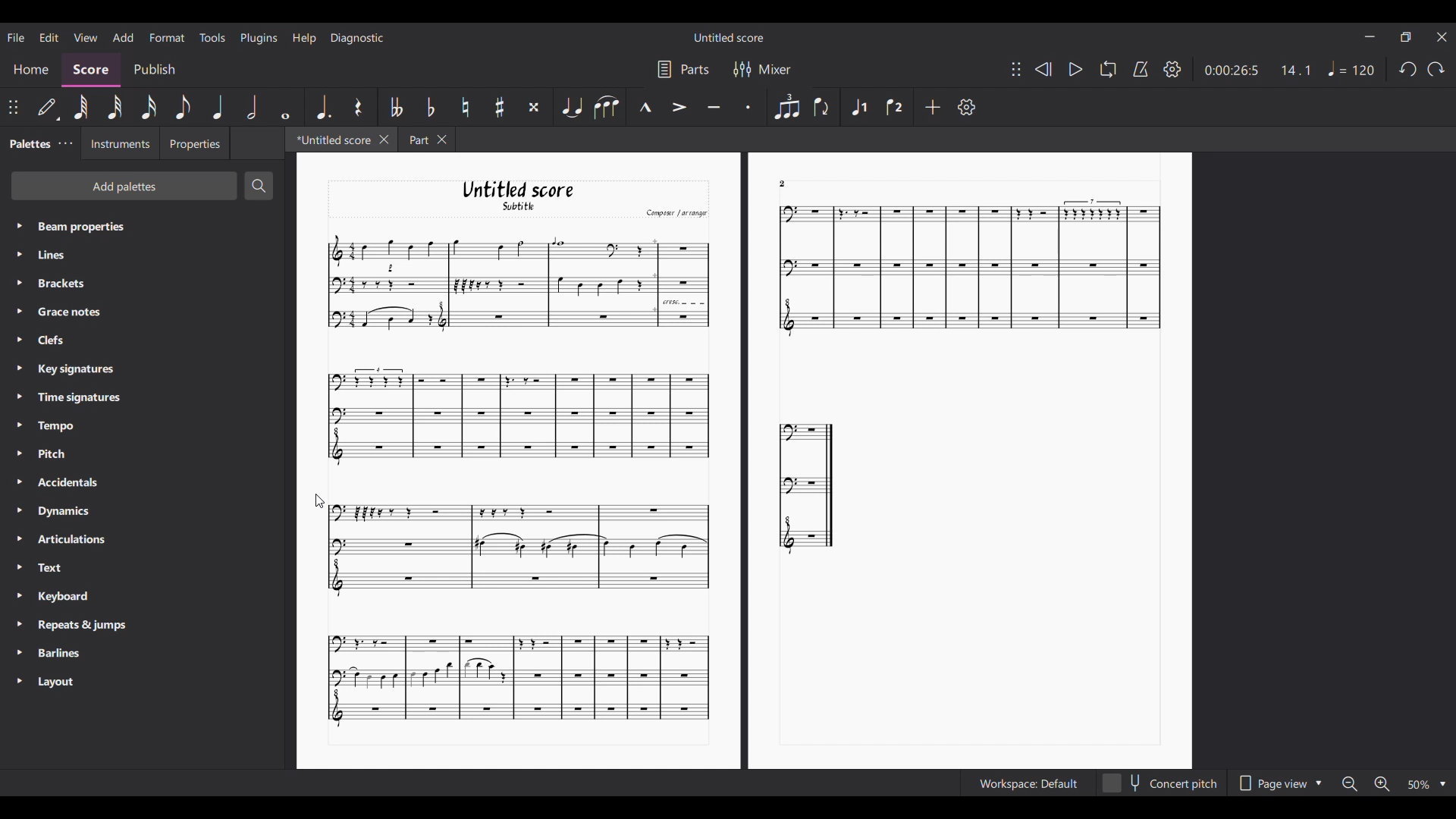  Describe the element at coordinates (58, 285) in the screenshot. I see `» Brackets` at that location.